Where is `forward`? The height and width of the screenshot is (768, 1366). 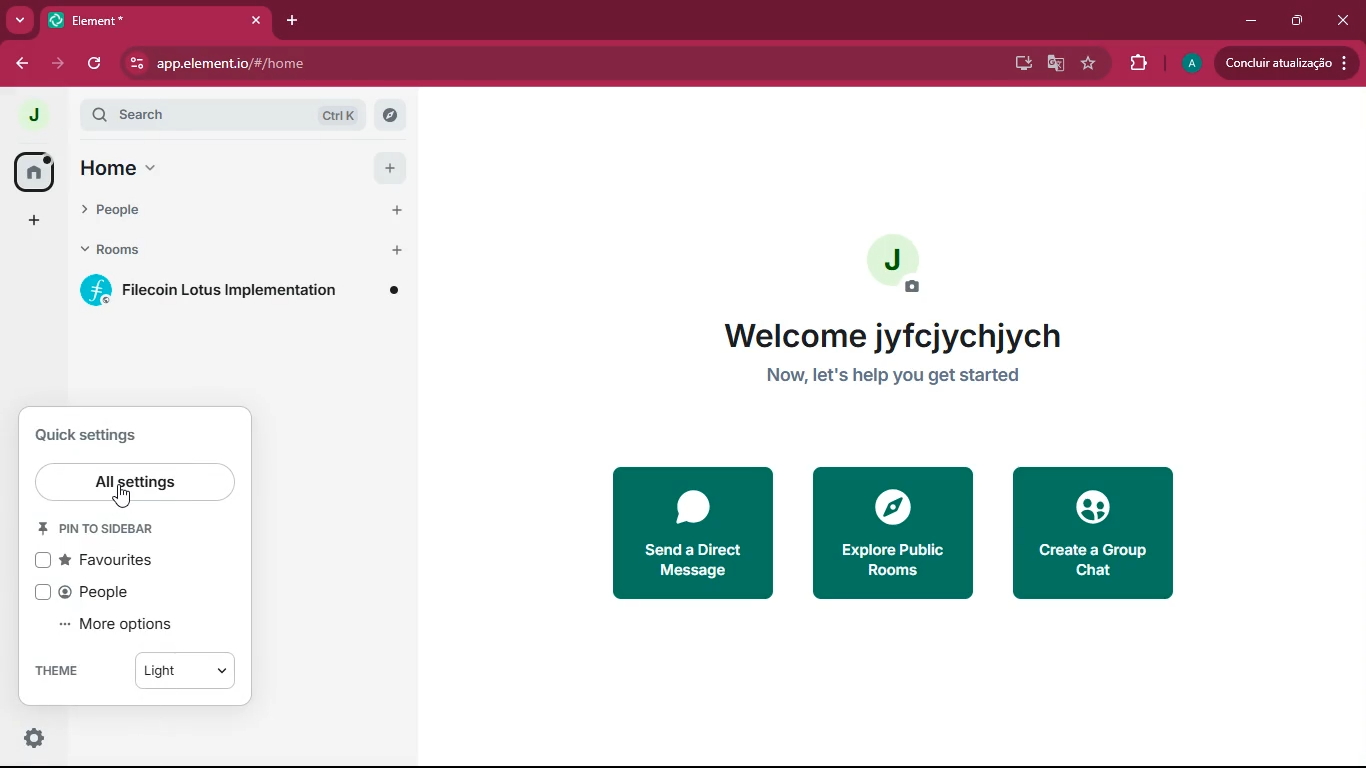
forward is located at coordinates (61, 64).